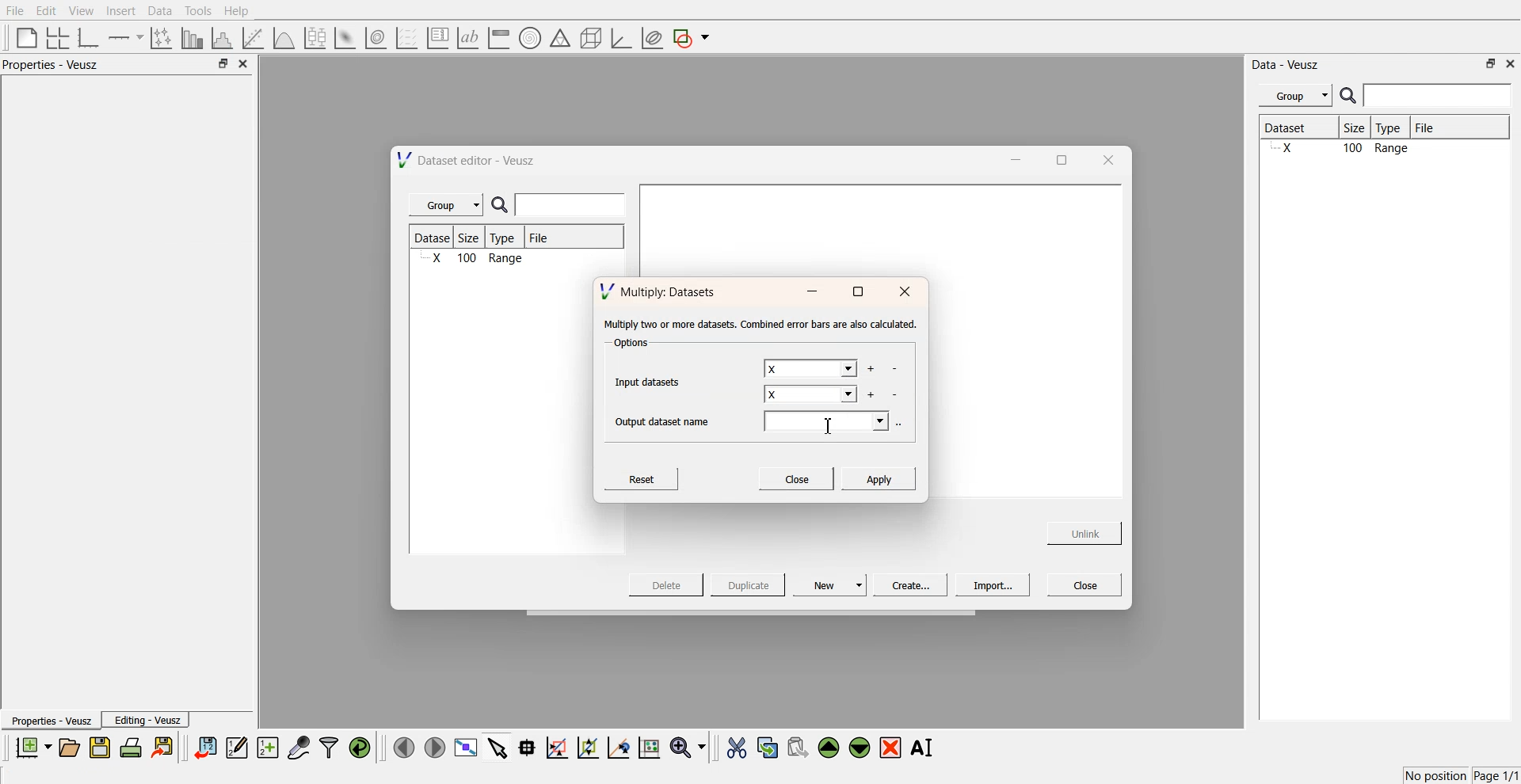  What do you see at coordinates (192, 39) in the screenshot?
I see `plot bar chart` at bounding box center [192, 39].